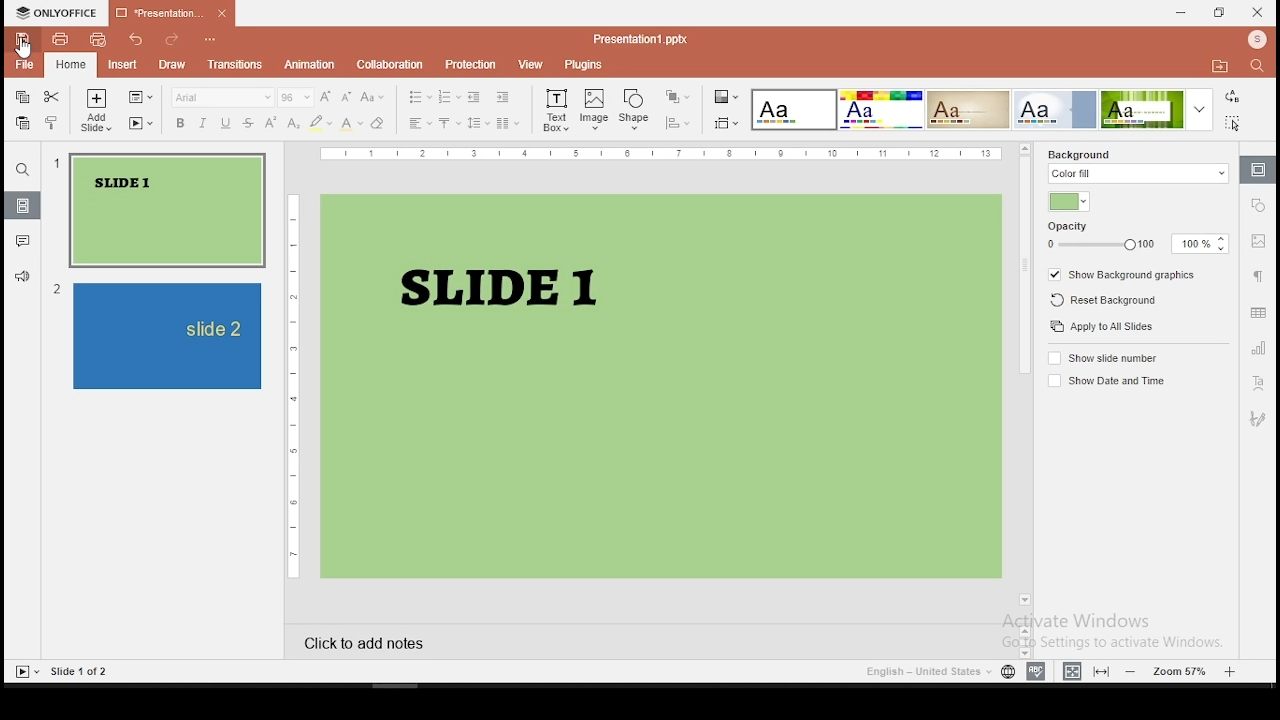 The height and width of the screenshot is (720, 1280). What do you see at coordinates (583, 65) in the screenshot?
I see `plugins` at bounding box center [583, 65].